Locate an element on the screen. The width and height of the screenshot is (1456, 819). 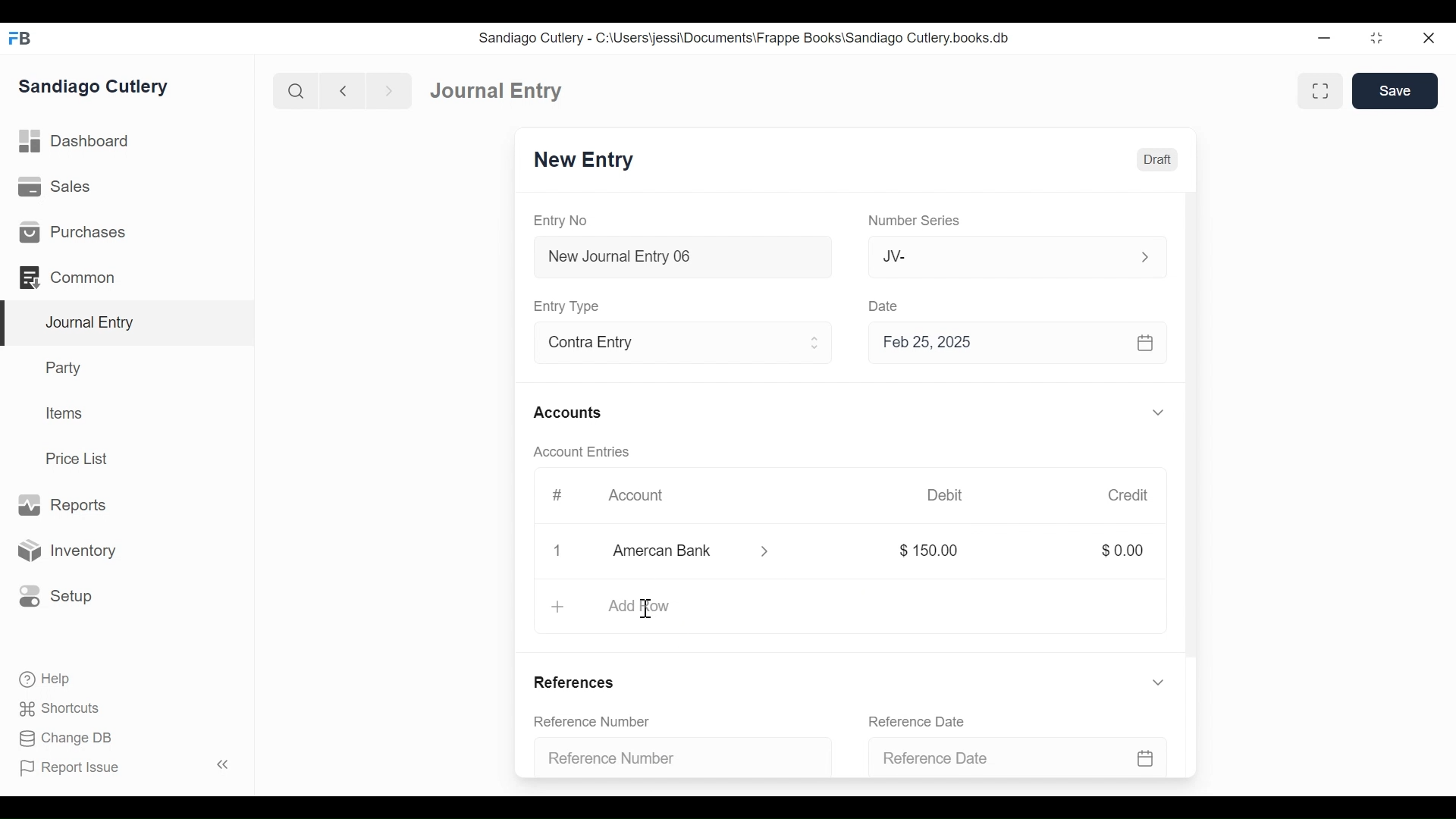
Date is located at coordinates (884, 305).